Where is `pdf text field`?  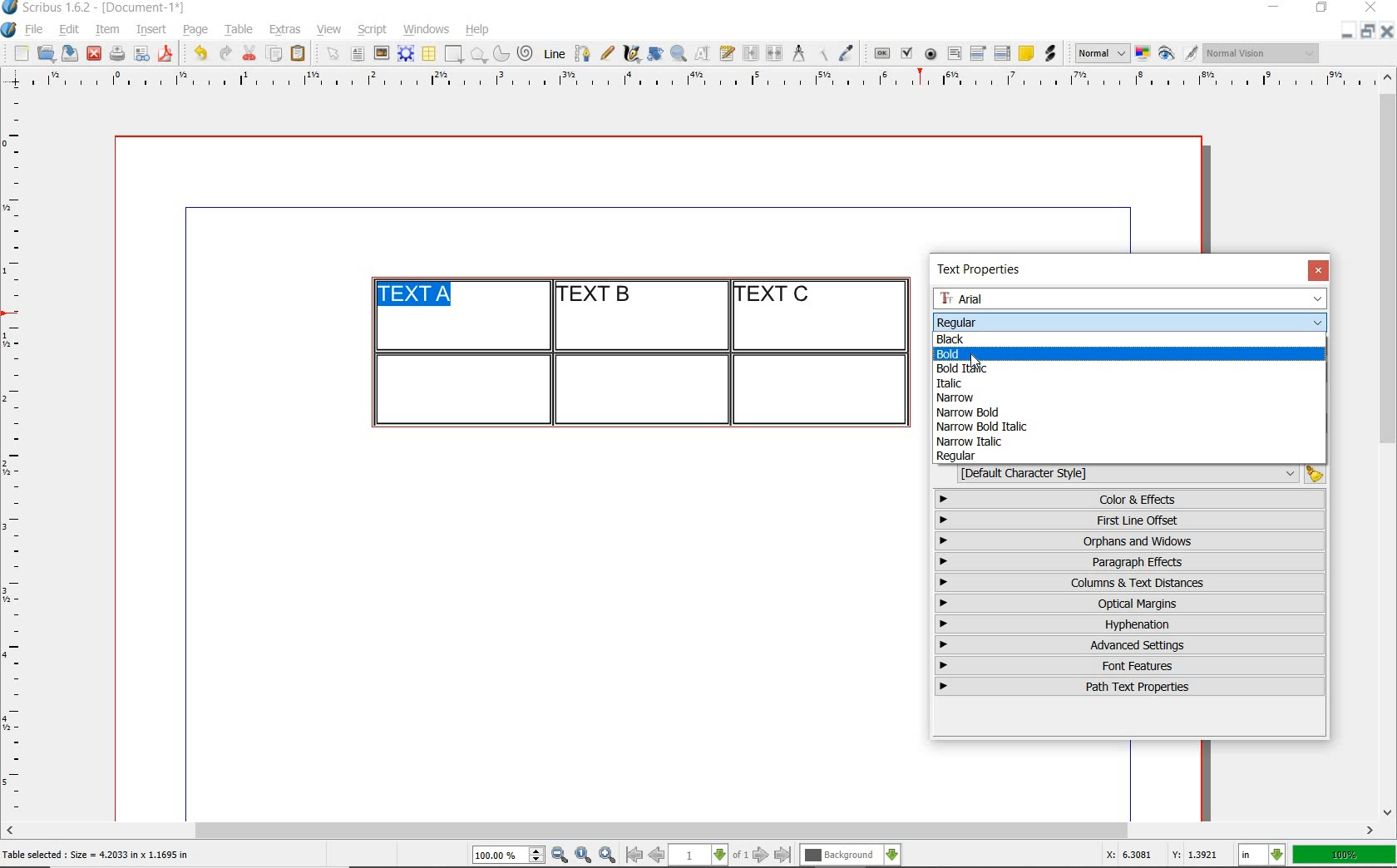
pdf text field is located at coordinates (954, 55).